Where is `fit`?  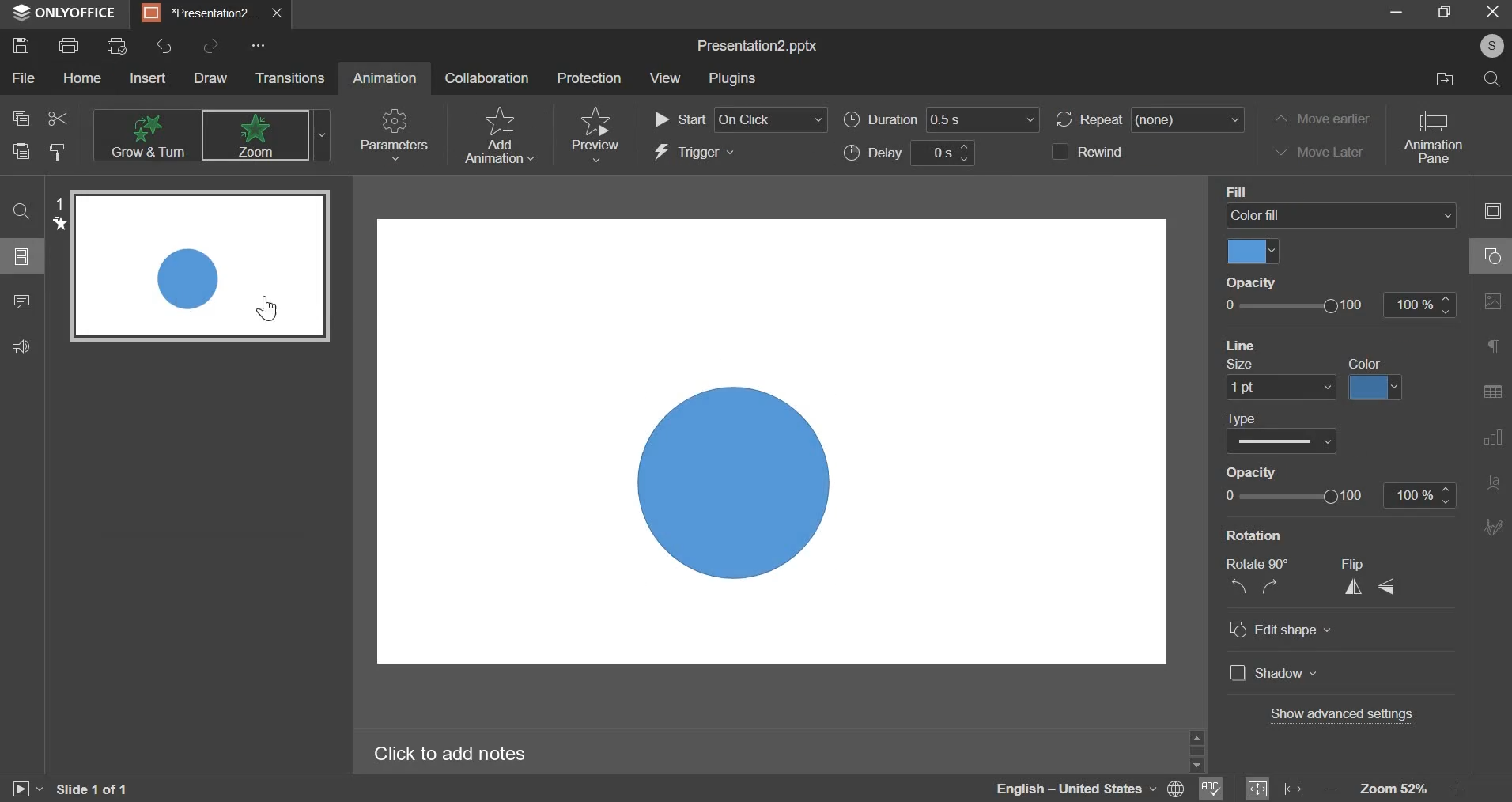
fit is located at coordinates (1275, 788).